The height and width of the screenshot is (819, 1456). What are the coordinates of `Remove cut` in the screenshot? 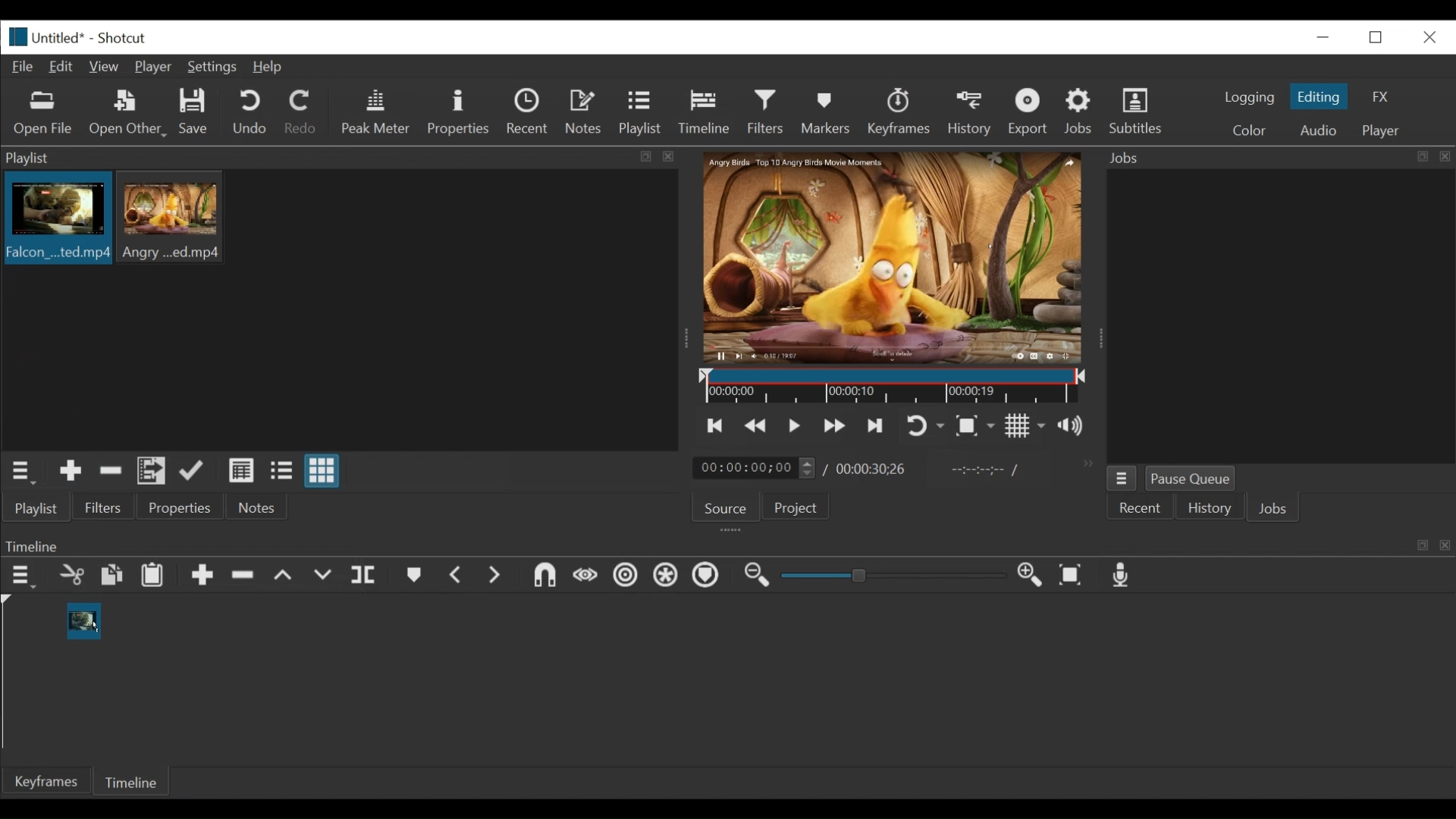 It's located at (111, 473).